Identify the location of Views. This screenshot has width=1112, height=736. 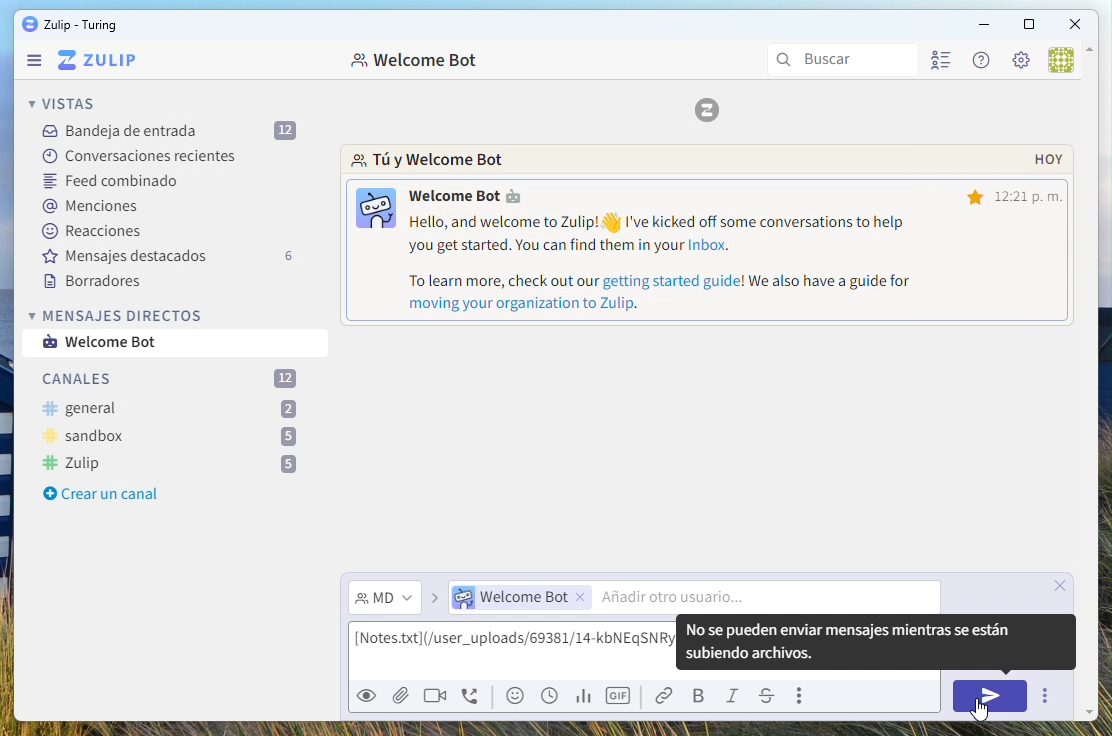
(66, 103).